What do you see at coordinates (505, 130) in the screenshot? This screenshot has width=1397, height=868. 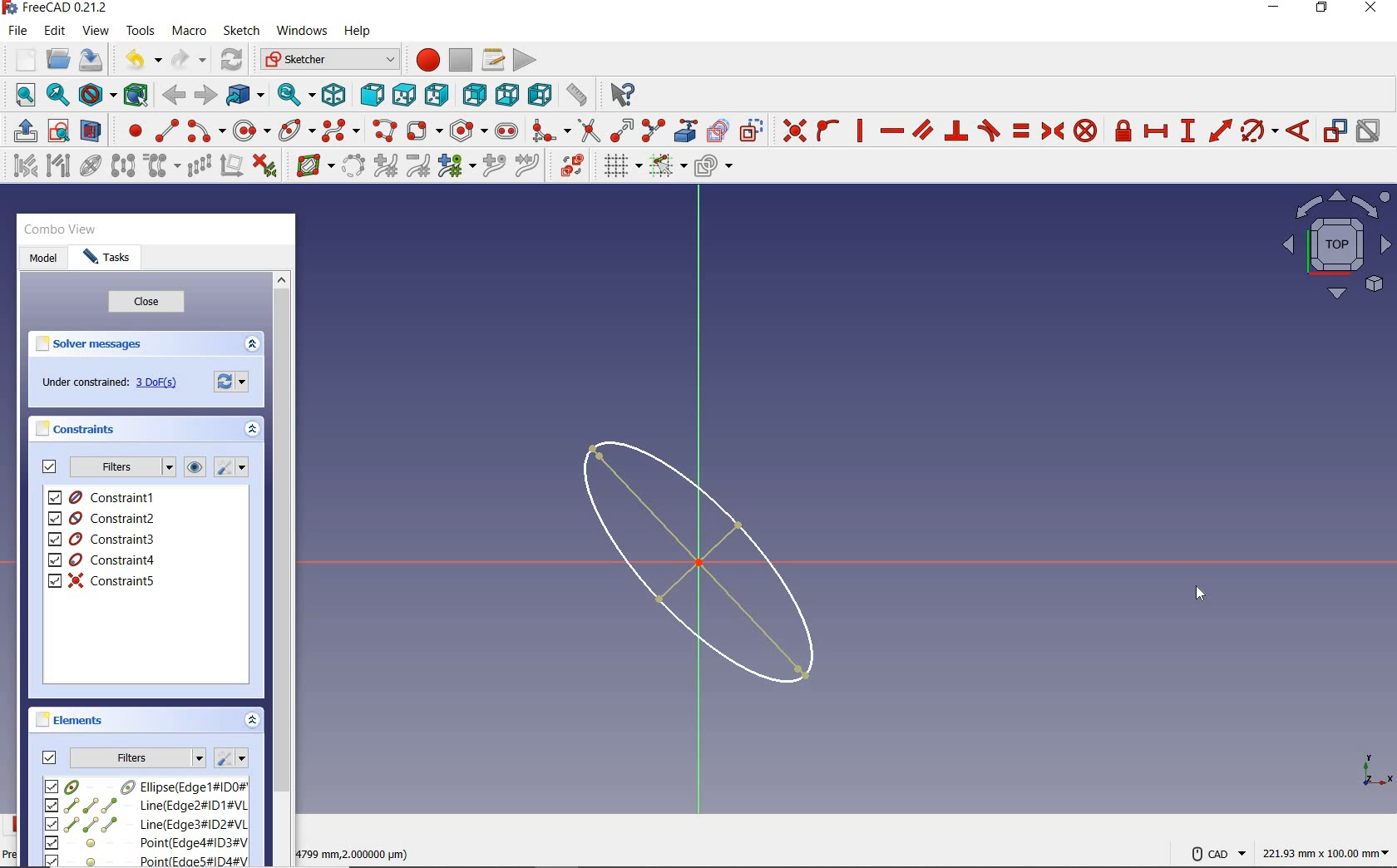 I see `create slot` at bounding box center [505, 130].